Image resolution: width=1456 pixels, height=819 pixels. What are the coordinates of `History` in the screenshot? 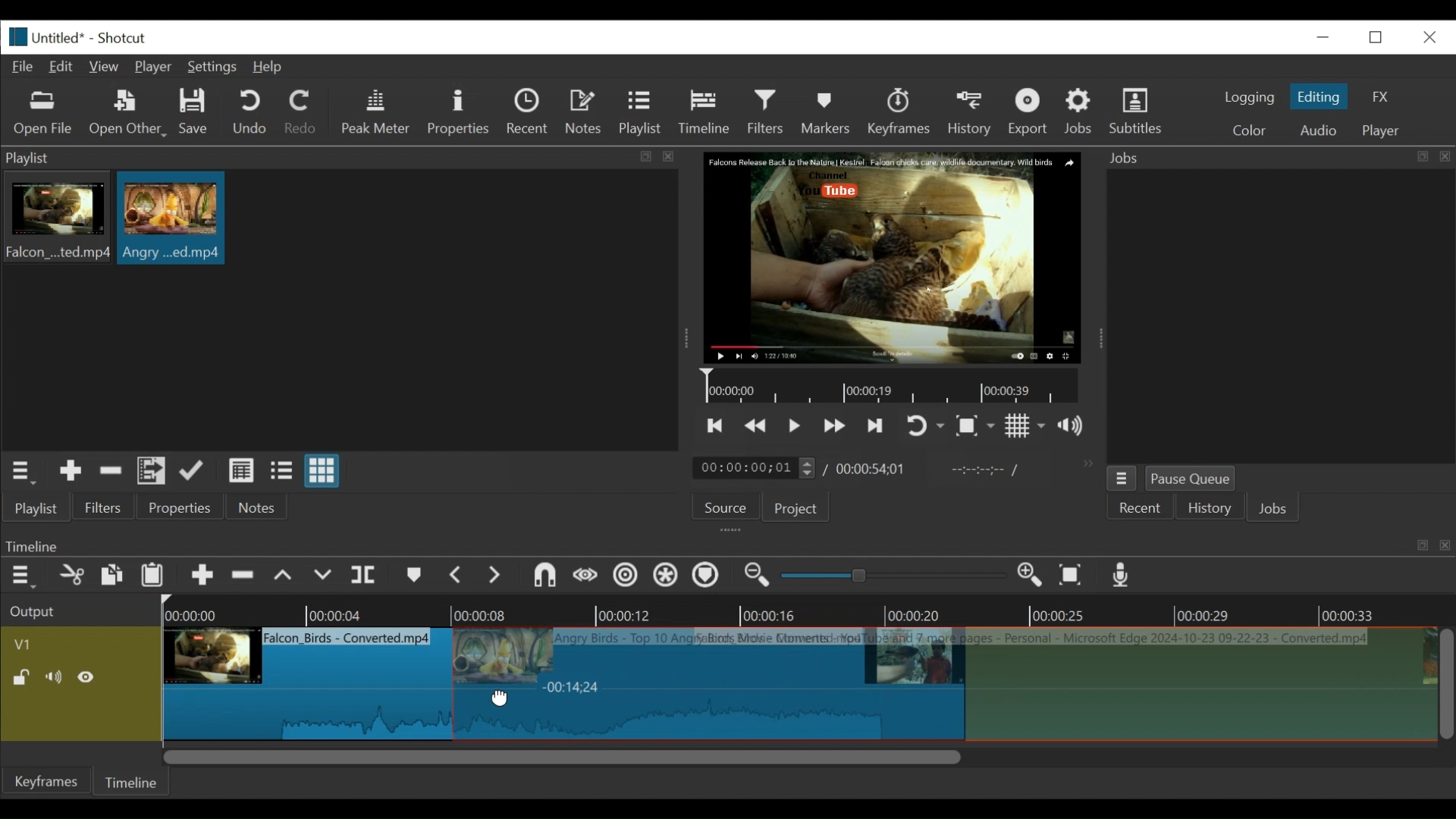 It's located at (972, 111).